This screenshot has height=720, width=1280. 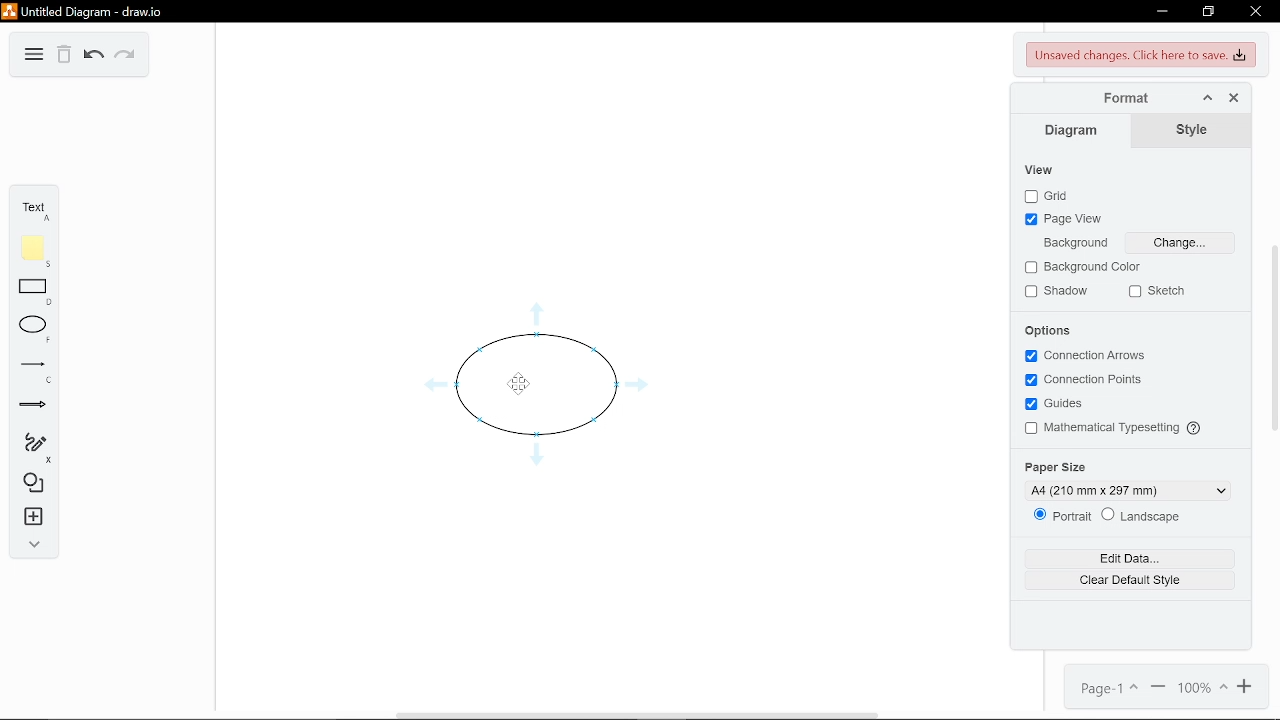 What do you see at coordinates (1060, 293) in the screenshot?
I see `Shadow` at bounding box center [1060, 293].